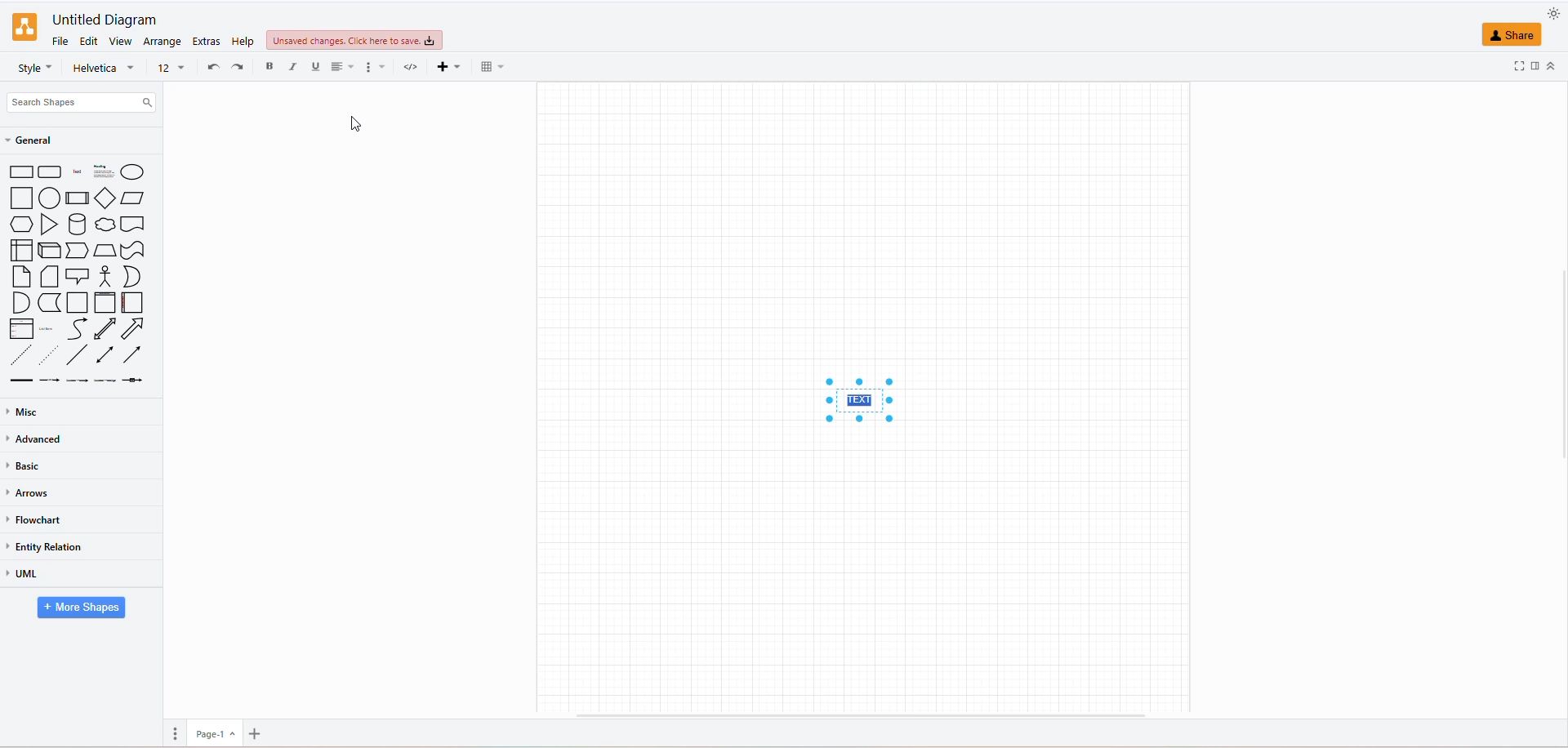 This screenshot has height=748, width=1568. Describe the element at coordinates (1537, 65) in the screenshot. I see `format` at that location.